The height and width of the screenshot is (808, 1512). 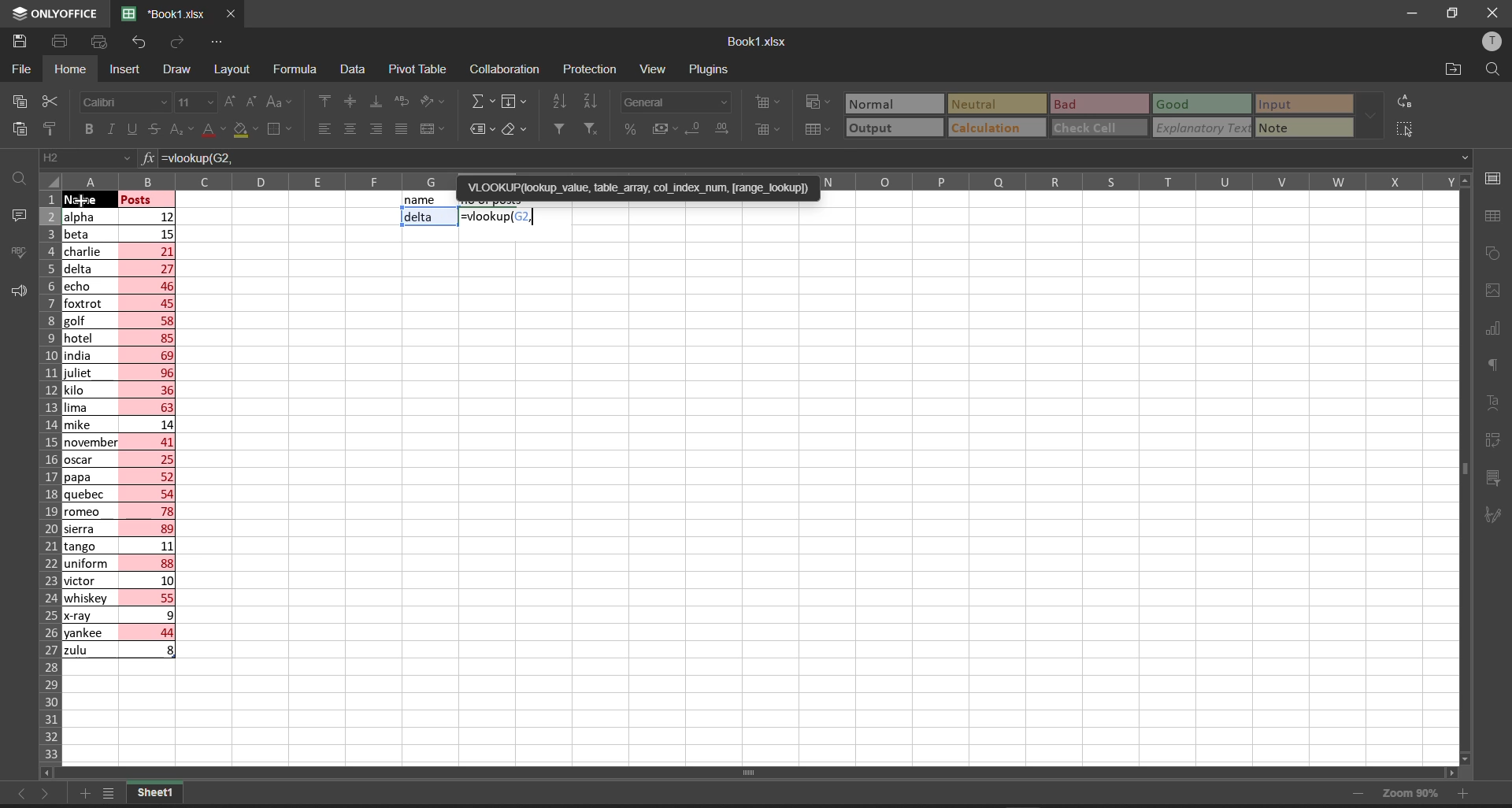 What do you see at coordinates (876, 128) in the screenshot?
I see `output` at bounding box center [876, 128].